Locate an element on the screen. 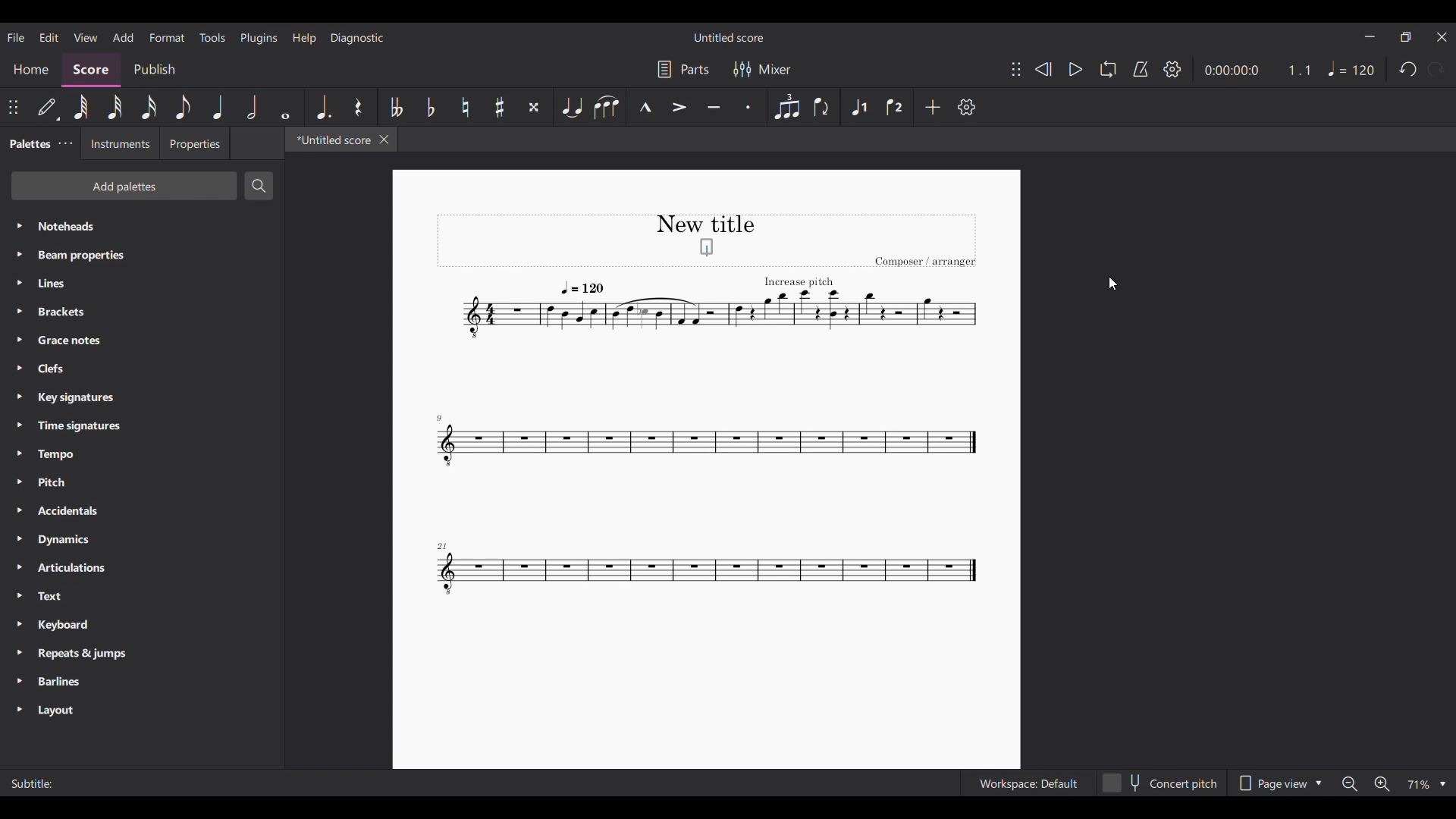  Mixer settings is located at coordinates (762, 70).